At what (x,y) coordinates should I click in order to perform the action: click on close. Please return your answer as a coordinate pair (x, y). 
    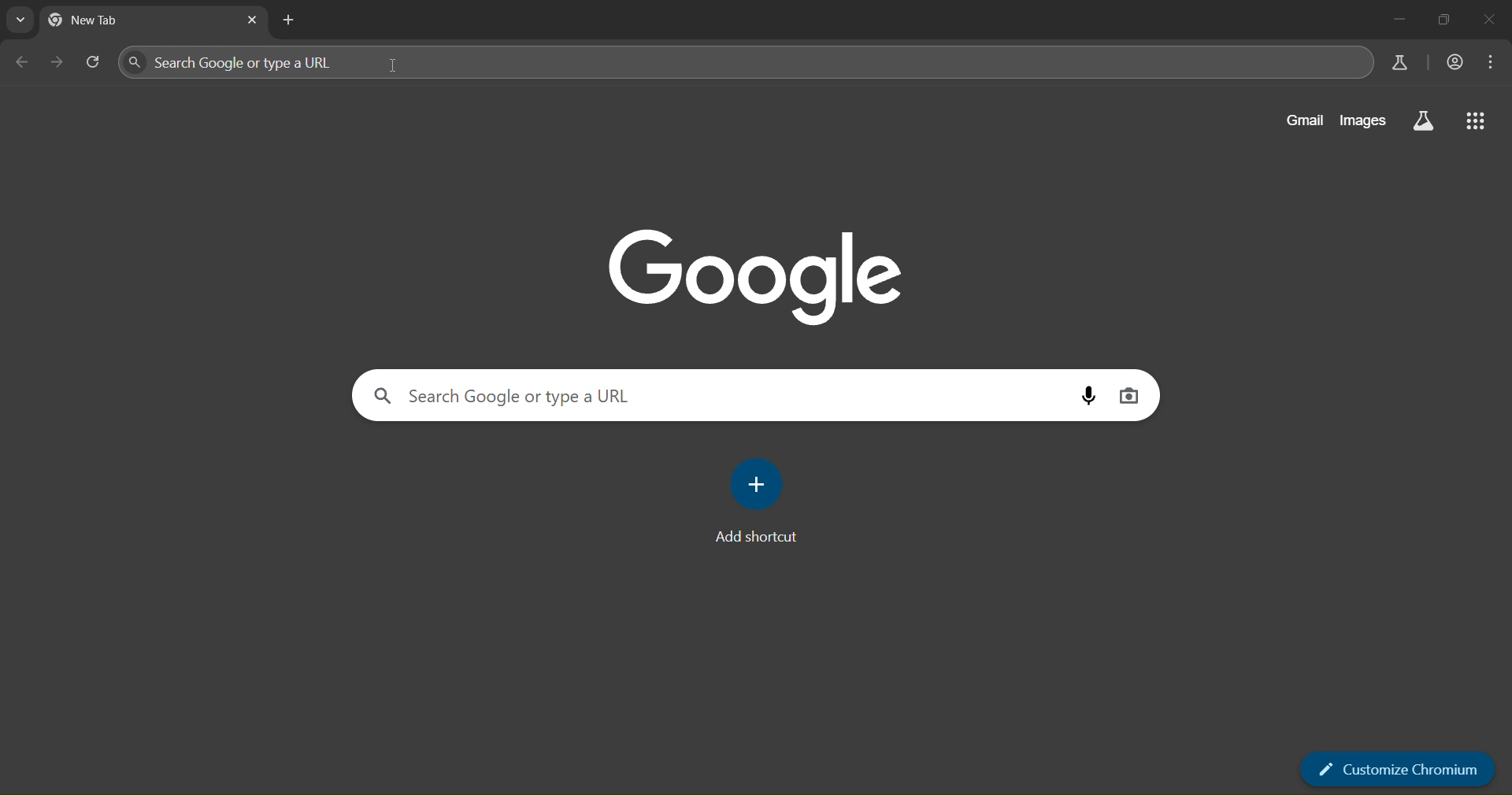
    Looking at the image, I should click on (1491, 21).